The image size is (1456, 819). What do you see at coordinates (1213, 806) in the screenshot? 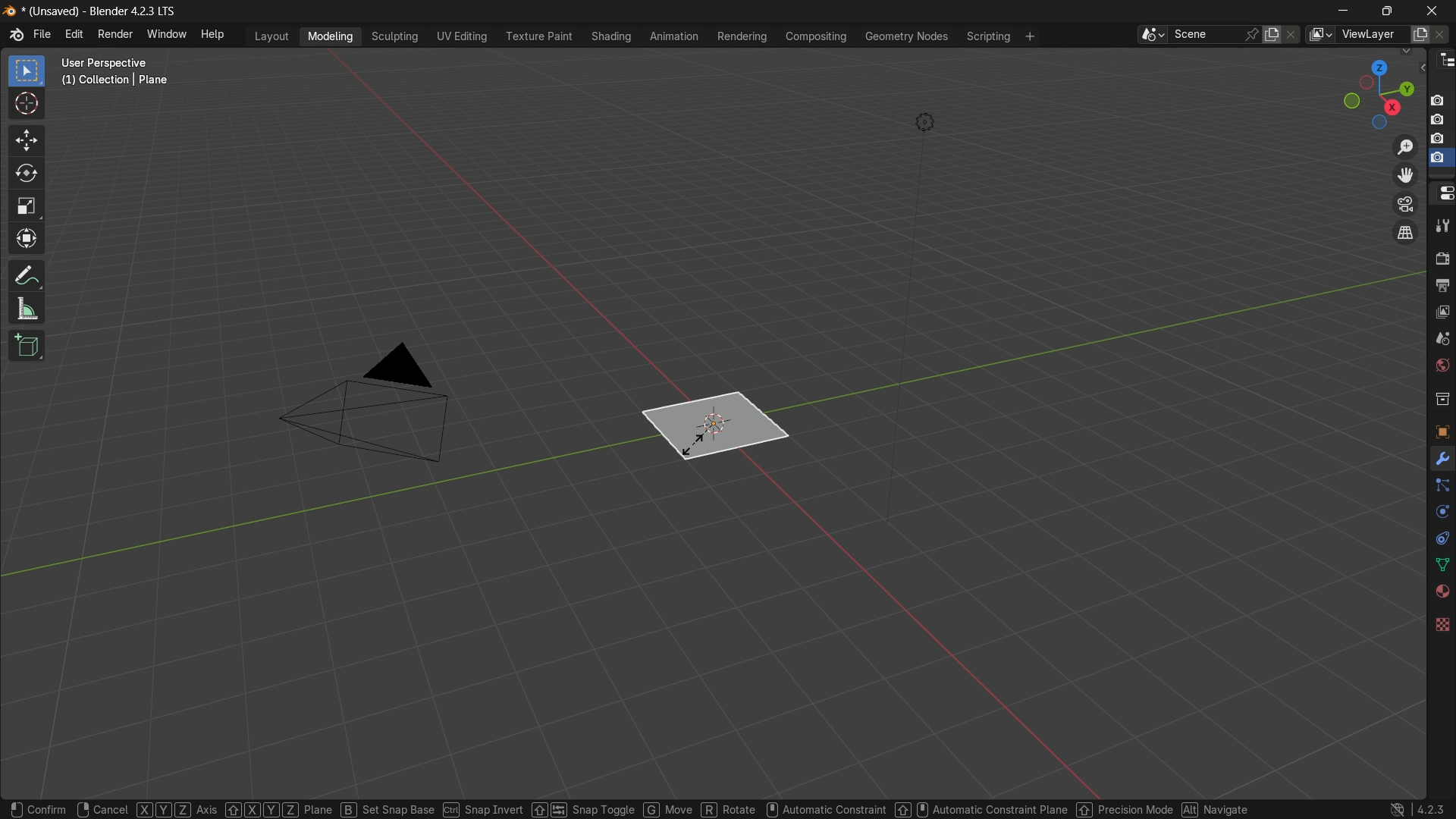
I see `navigate` at bounding box center [1213, 806].